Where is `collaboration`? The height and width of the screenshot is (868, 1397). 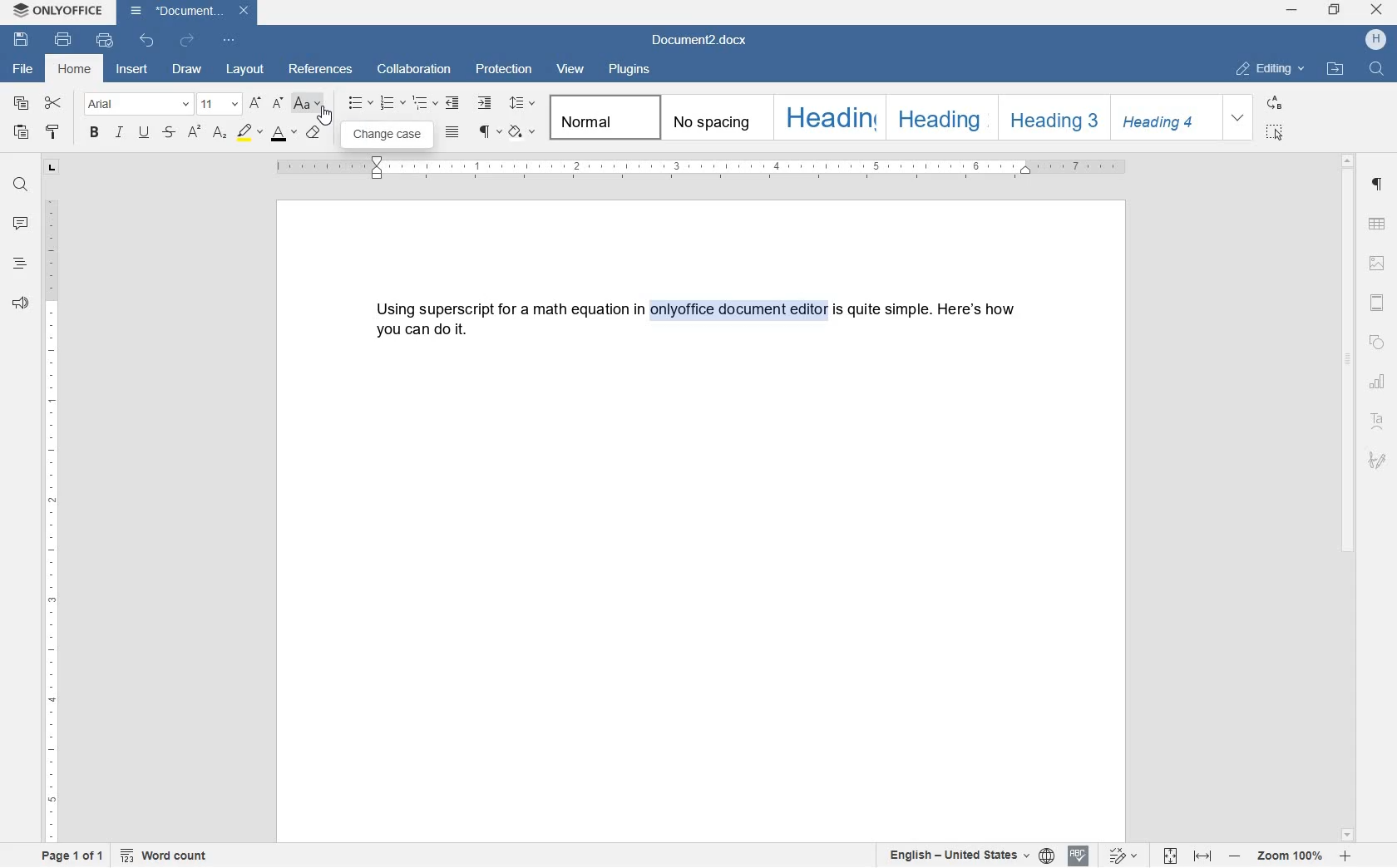 collaboration is located at coordinates (414, 71).